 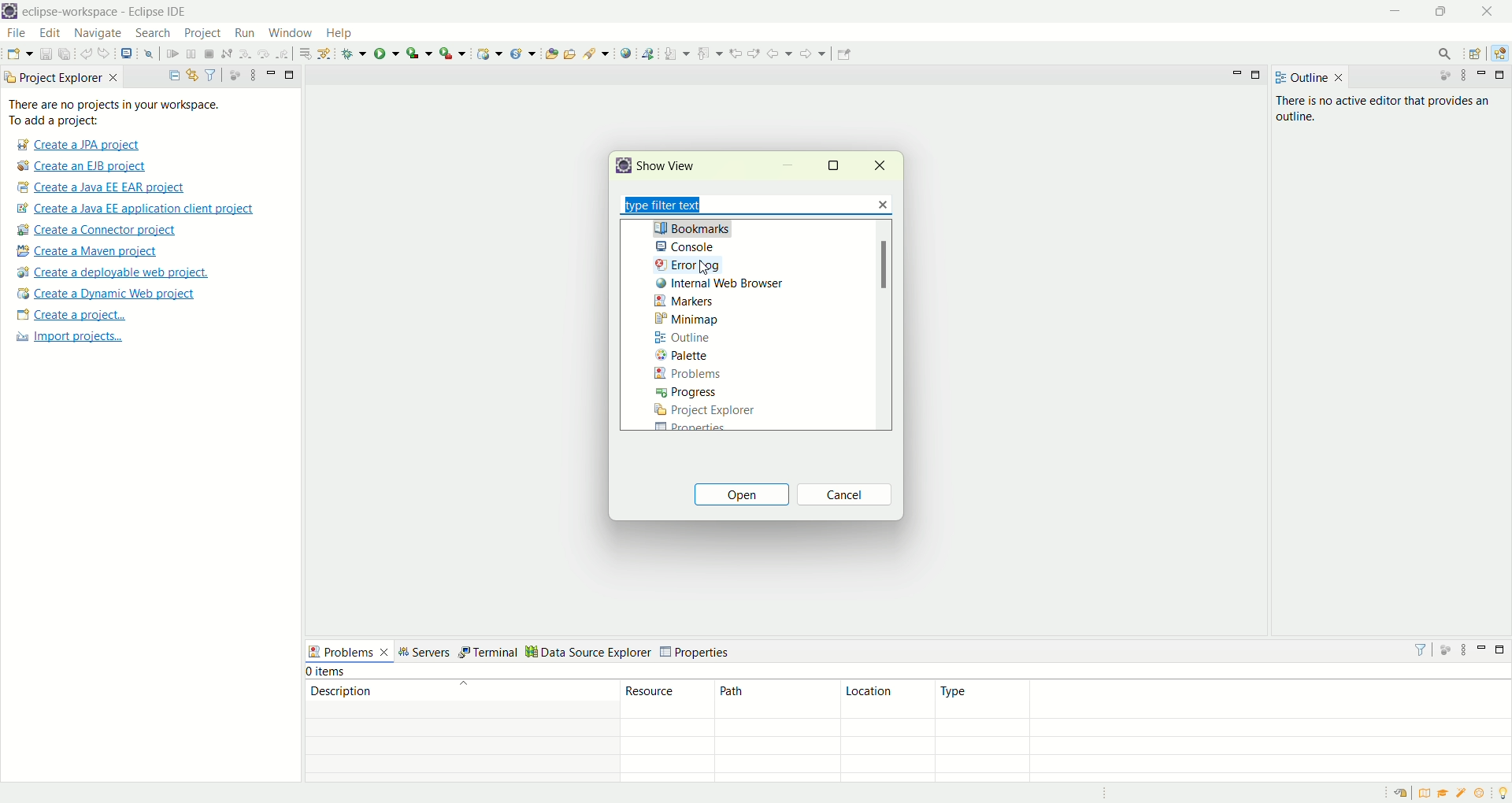 I want to click on next edit location, so click(x=754, y=52).